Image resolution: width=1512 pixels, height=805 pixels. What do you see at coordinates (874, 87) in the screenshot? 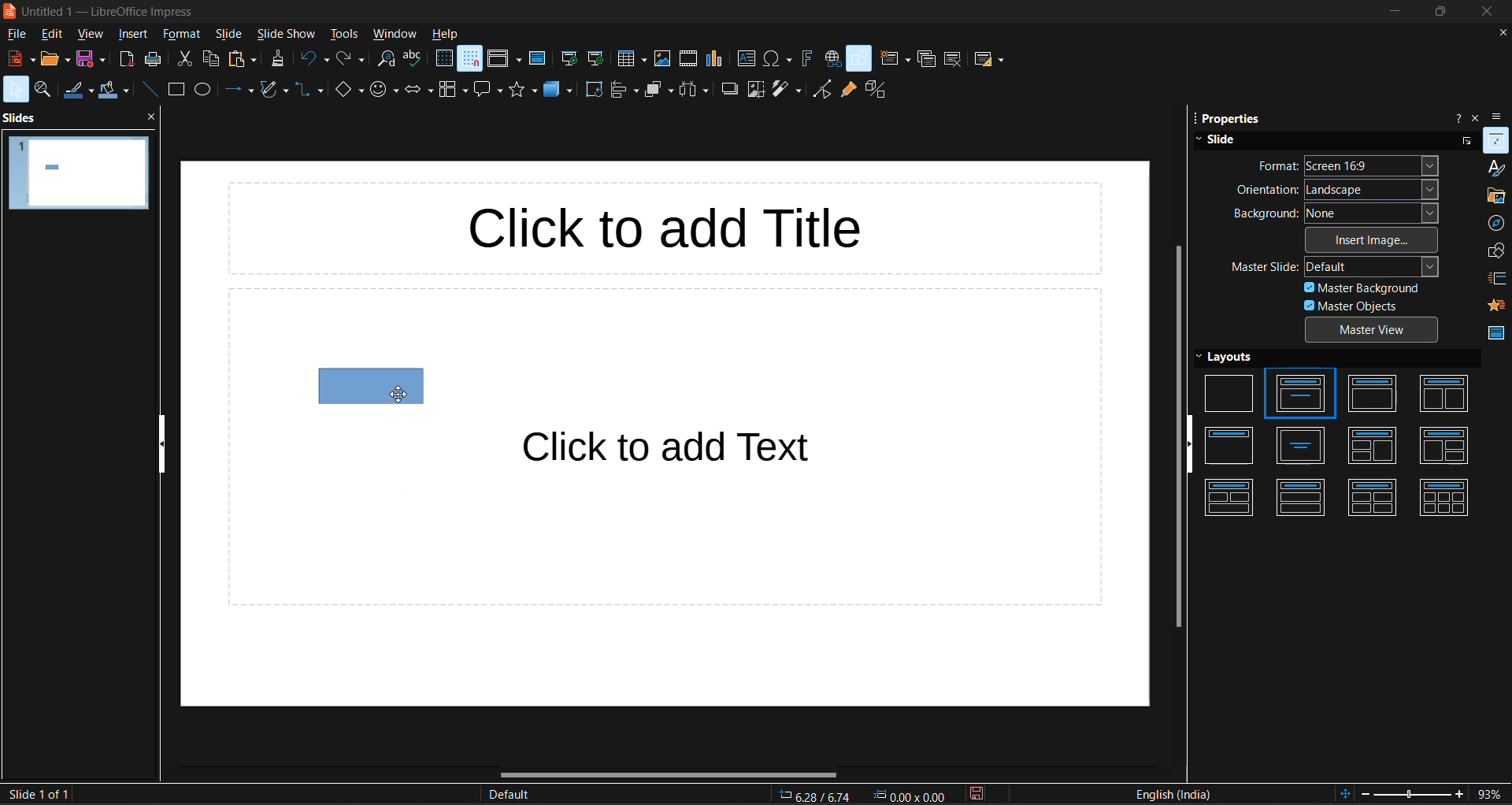
I see `toggle extrusion` at bounding box center [874, 87].